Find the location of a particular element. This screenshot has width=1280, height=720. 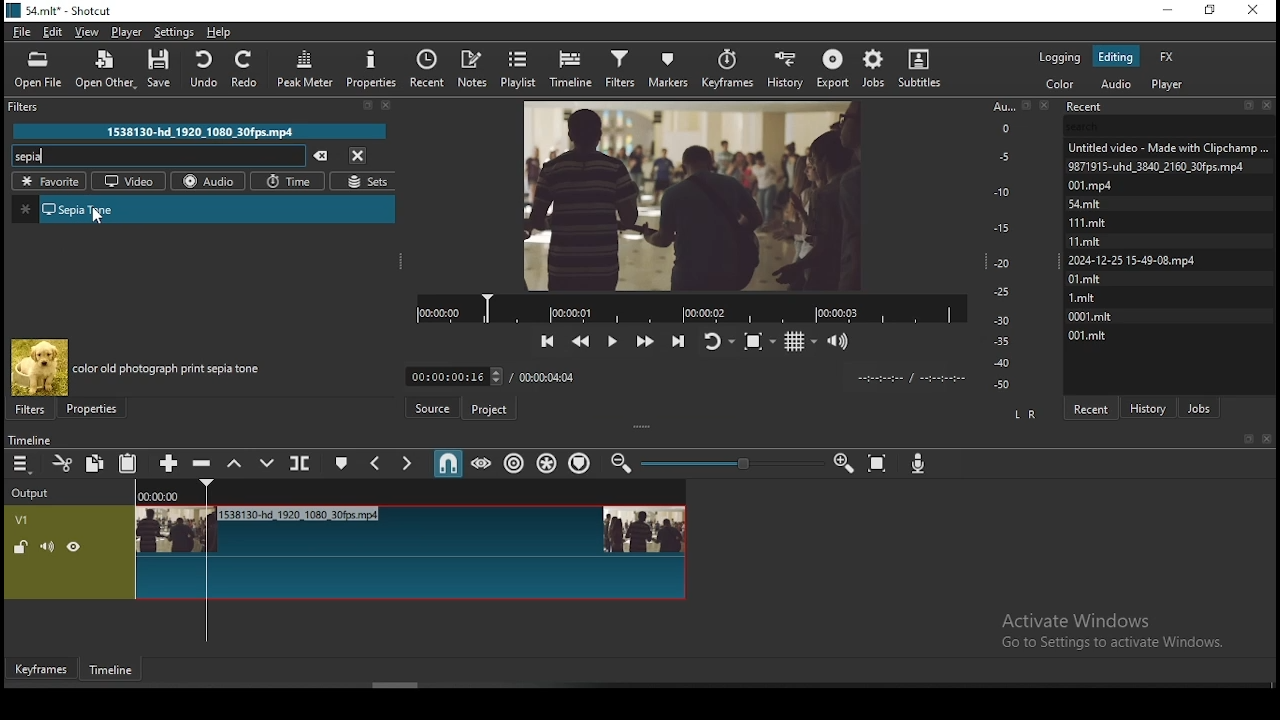

total time is located at coordinates (547, 376).